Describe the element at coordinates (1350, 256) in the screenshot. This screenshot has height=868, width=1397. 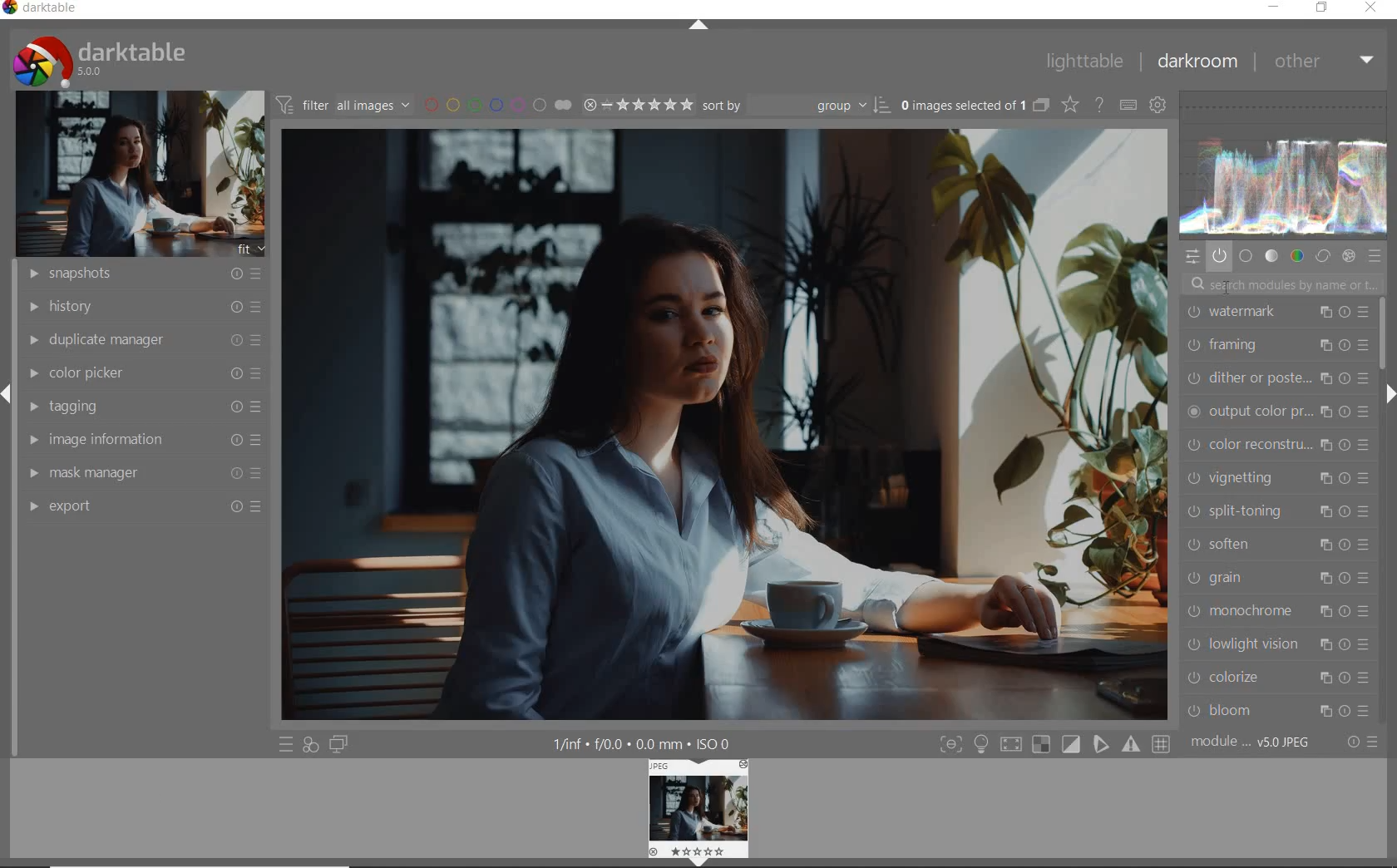
I see `effect` at that location.